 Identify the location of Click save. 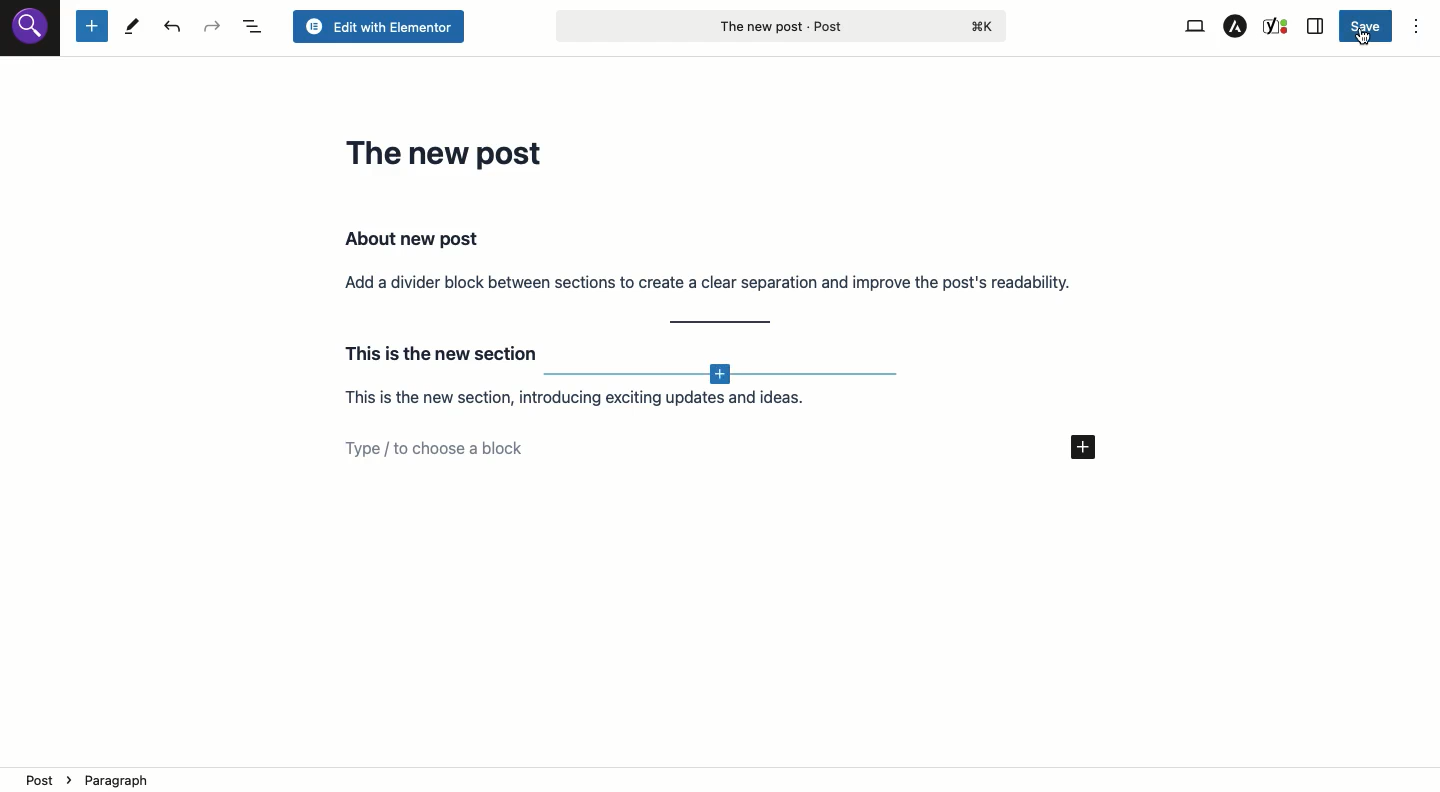
(1368, 28).